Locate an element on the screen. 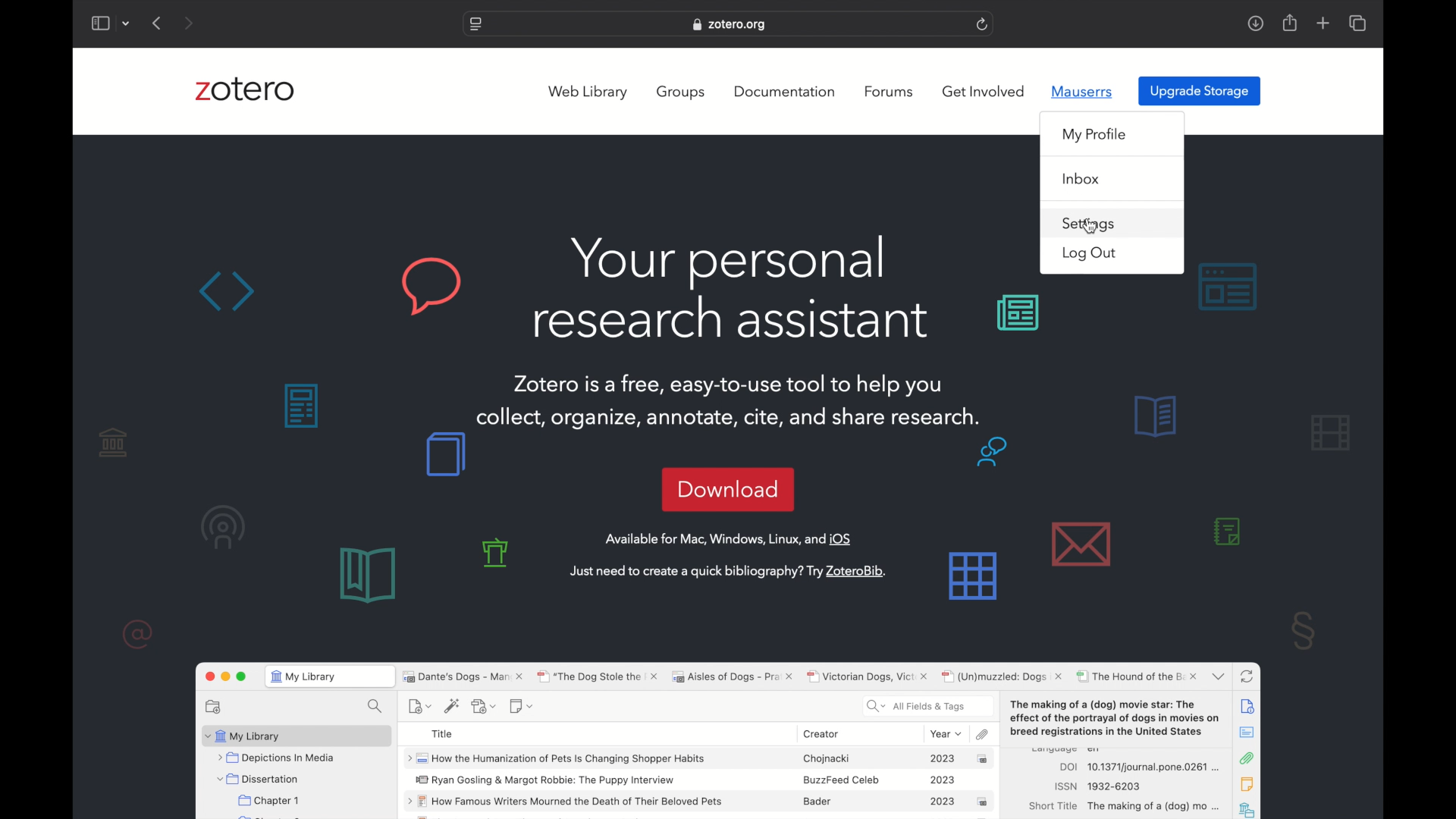 Image resolution: width=1456 pixels, height=819 pixels. zotero software preview is located at coordinates (730, 736).